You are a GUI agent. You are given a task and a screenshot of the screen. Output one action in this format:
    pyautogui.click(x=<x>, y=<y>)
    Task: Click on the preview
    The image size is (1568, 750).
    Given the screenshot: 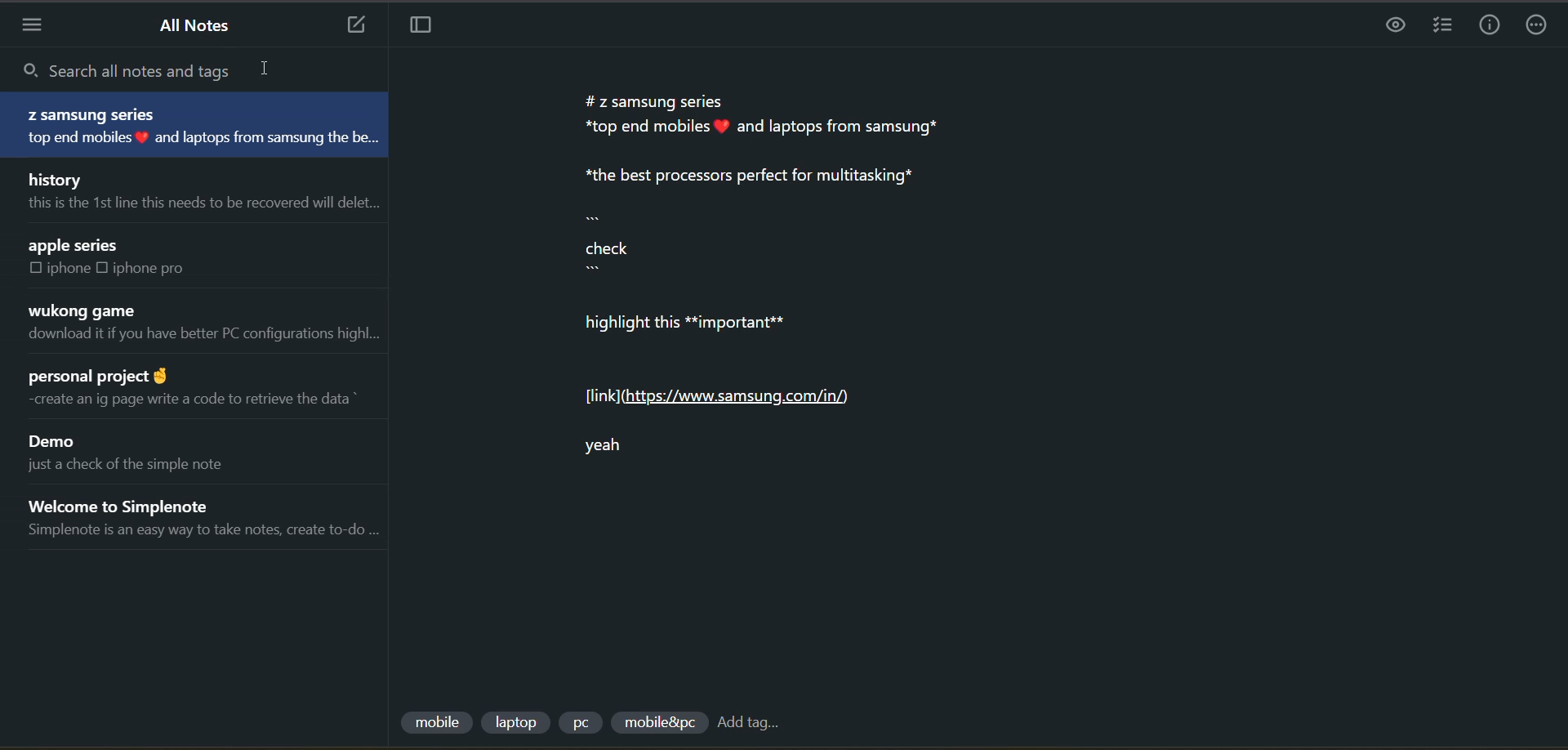 What is the action you would take?
    pyautogui.click(x=1396, y=27)
    